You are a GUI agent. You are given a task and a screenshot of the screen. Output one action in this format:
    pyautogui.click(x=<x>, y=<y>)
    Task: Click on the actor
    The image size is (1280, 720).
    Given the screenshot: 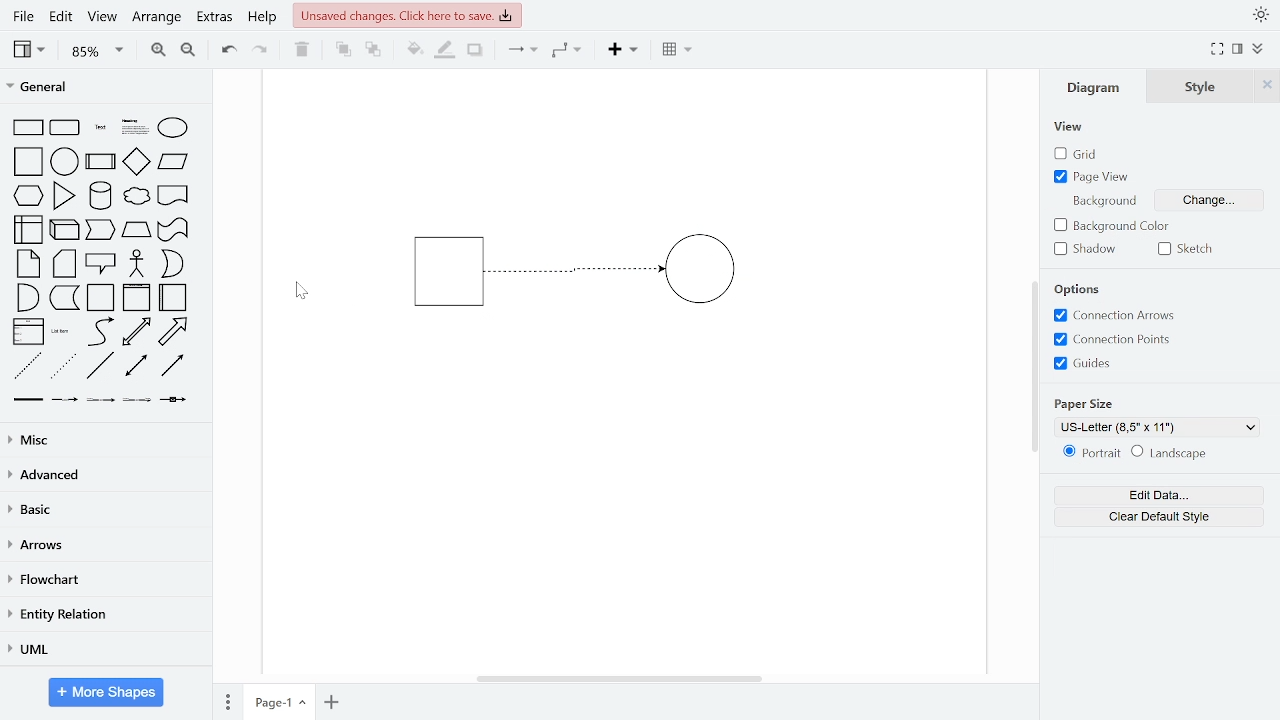 What is the action you would take?
    pyautogui.click(x=138, y=265)
    